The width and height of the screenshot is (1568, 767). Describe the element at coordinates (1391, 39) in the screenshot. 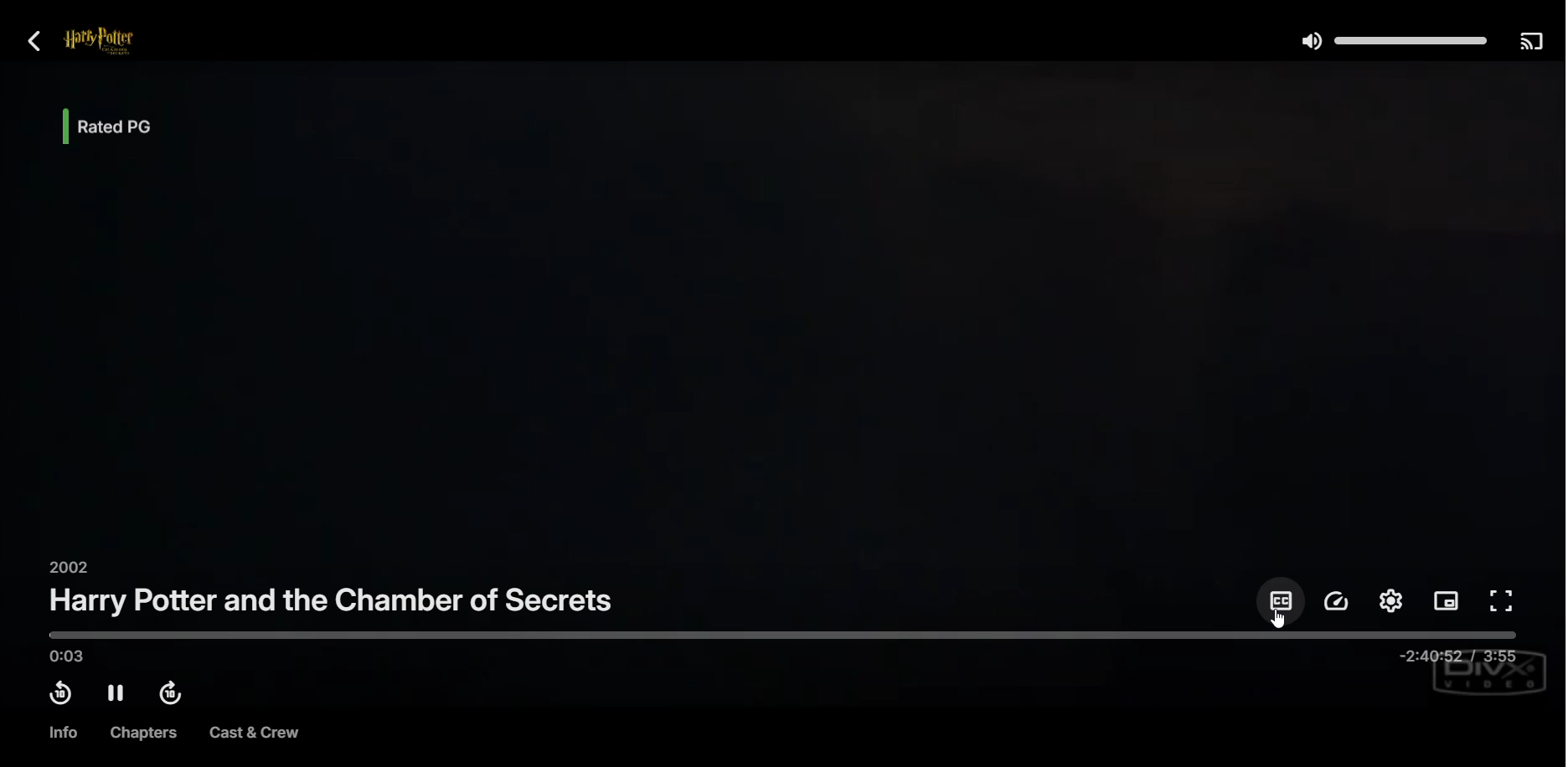

I see `Set Volume` at that location.